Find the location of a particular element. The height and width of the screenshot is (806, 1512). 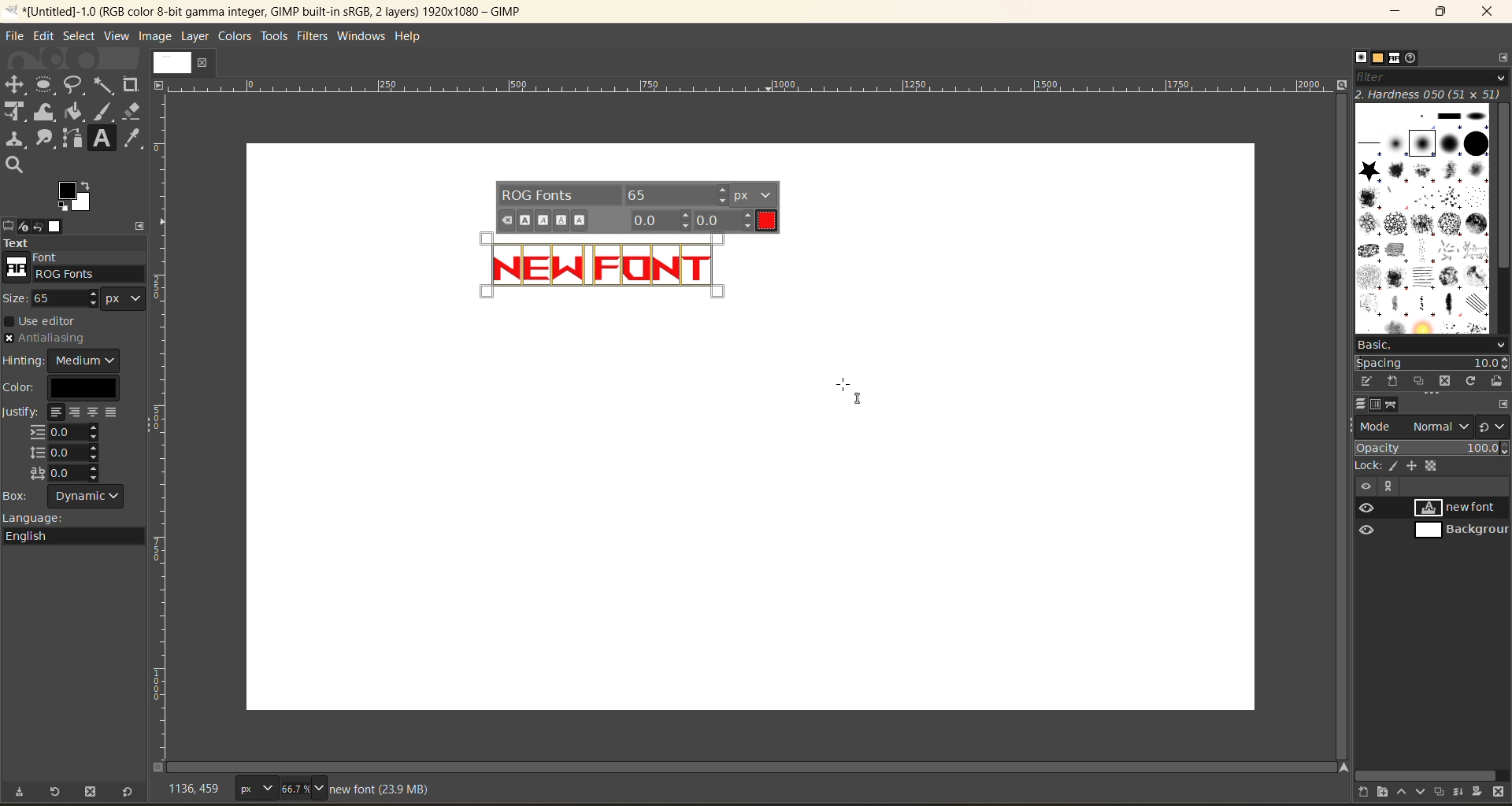

layer is located at coordinates (197, 38).